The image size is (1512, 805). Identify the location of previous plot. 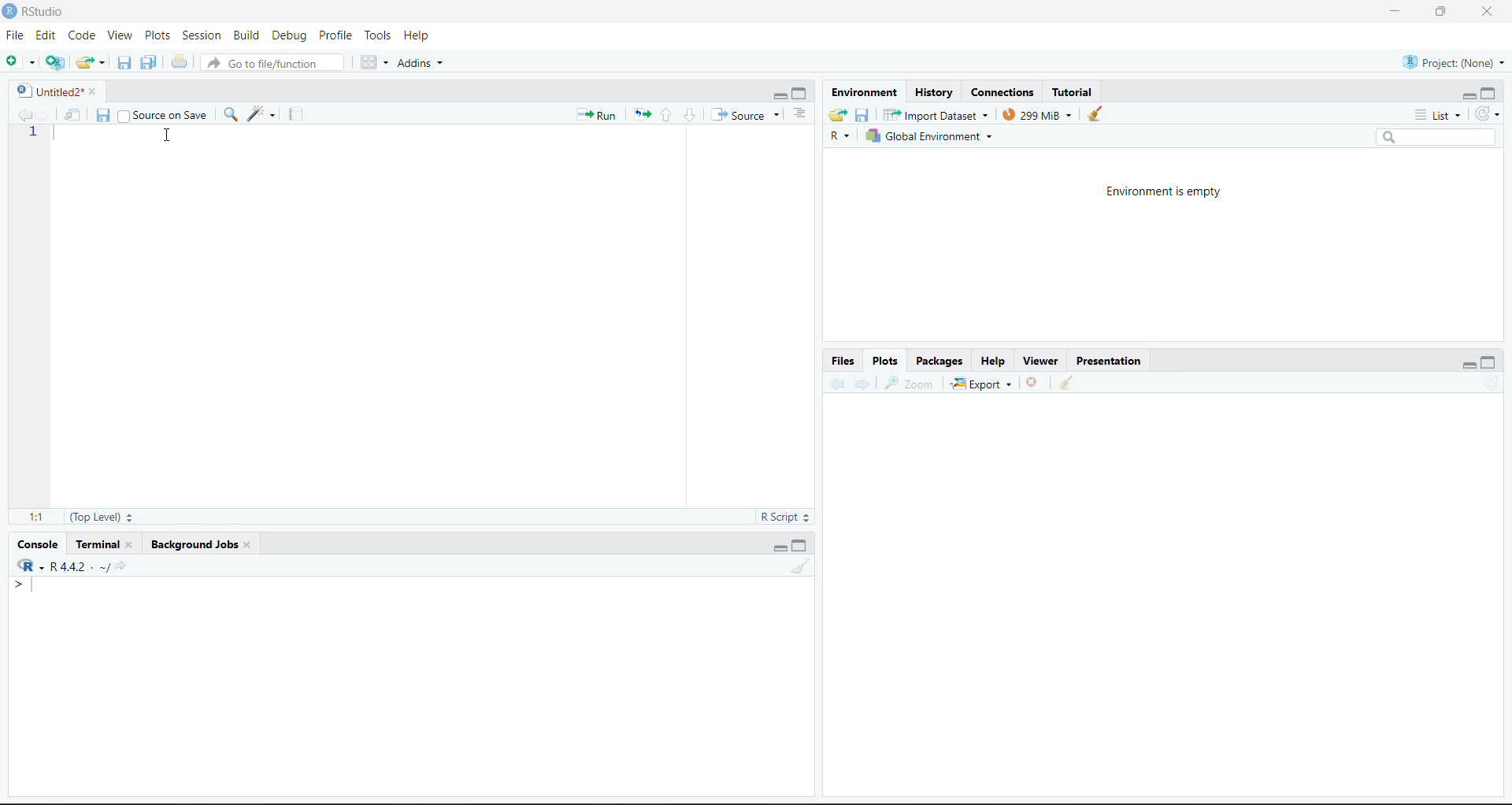
(837, 381).